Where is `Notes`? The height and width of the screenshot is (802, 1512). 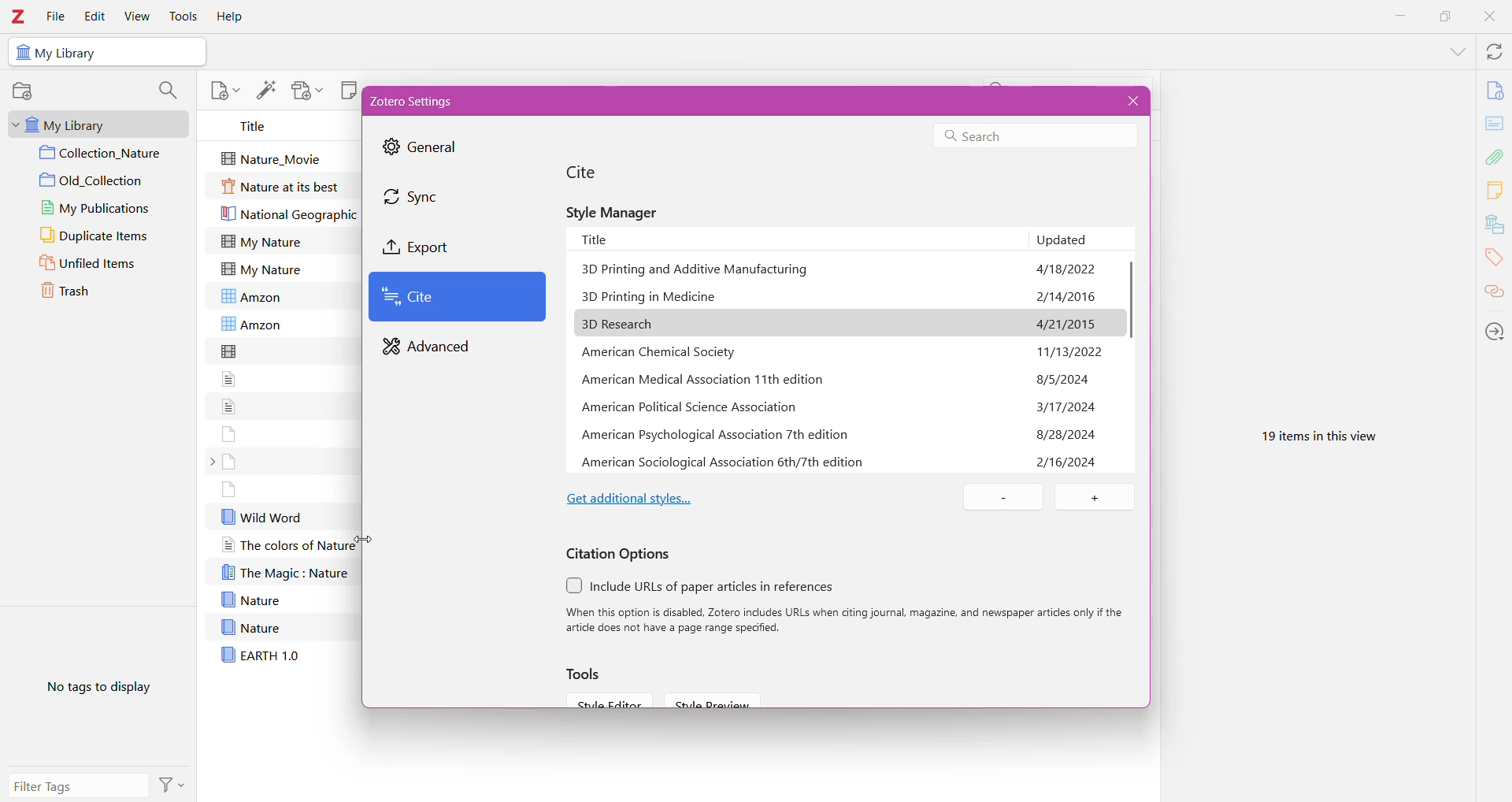
Notes is located at coordinates (1496, 191).